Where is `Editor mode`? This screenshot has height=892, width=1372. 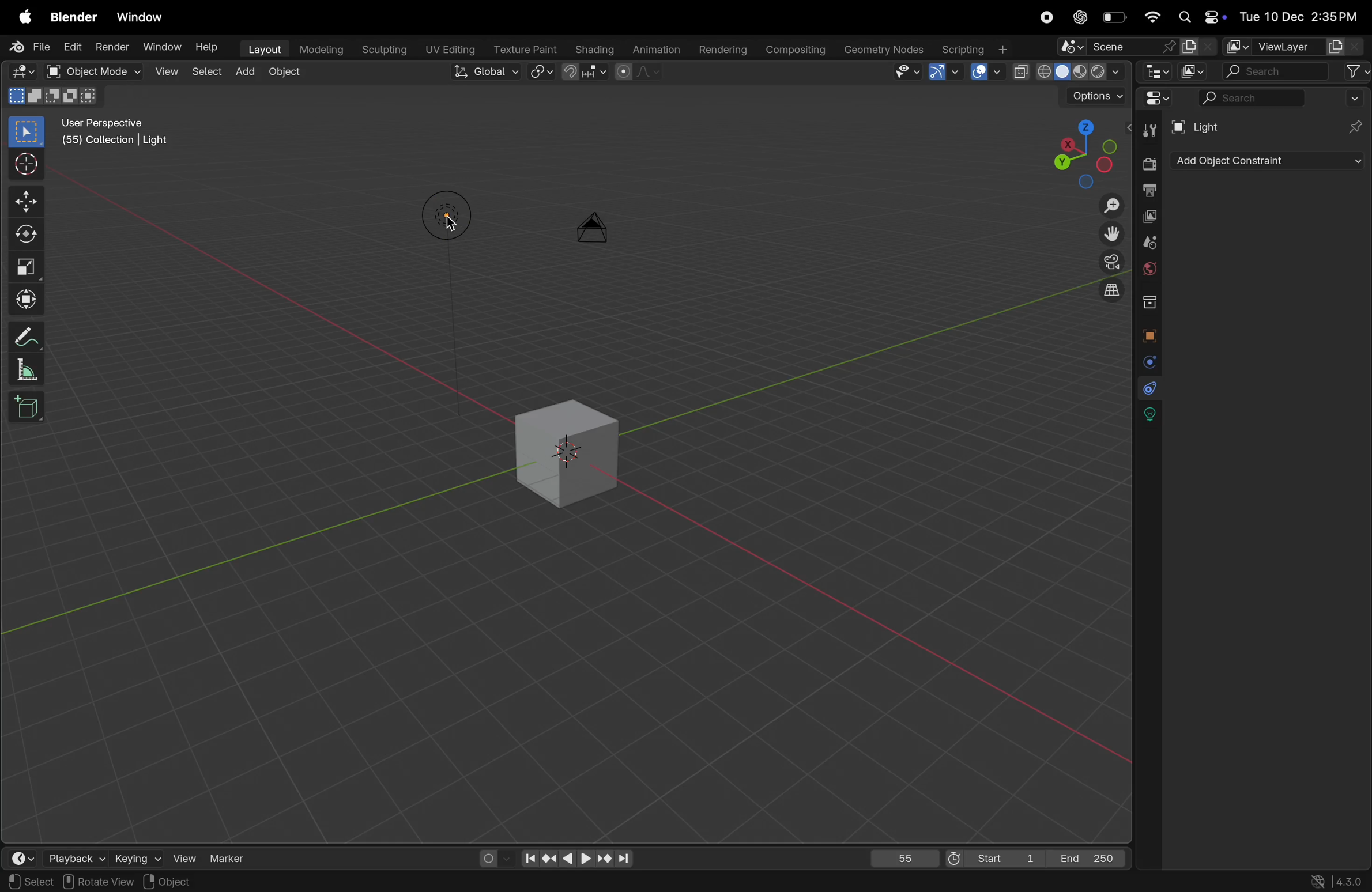
Editor mode is located at coordinates (22, 71).